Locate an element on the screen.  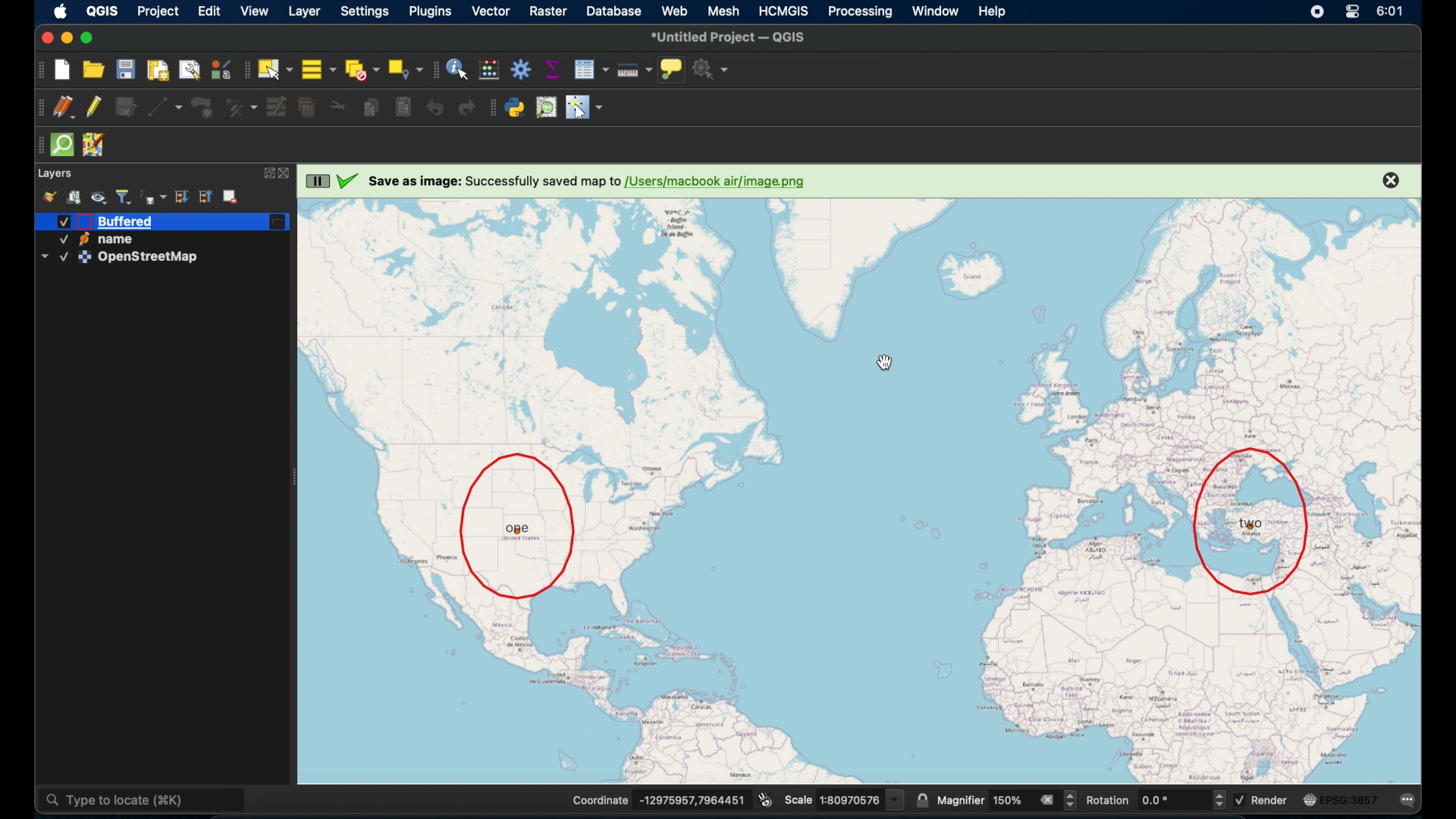
show map tips is located at coordinates (673, 69).